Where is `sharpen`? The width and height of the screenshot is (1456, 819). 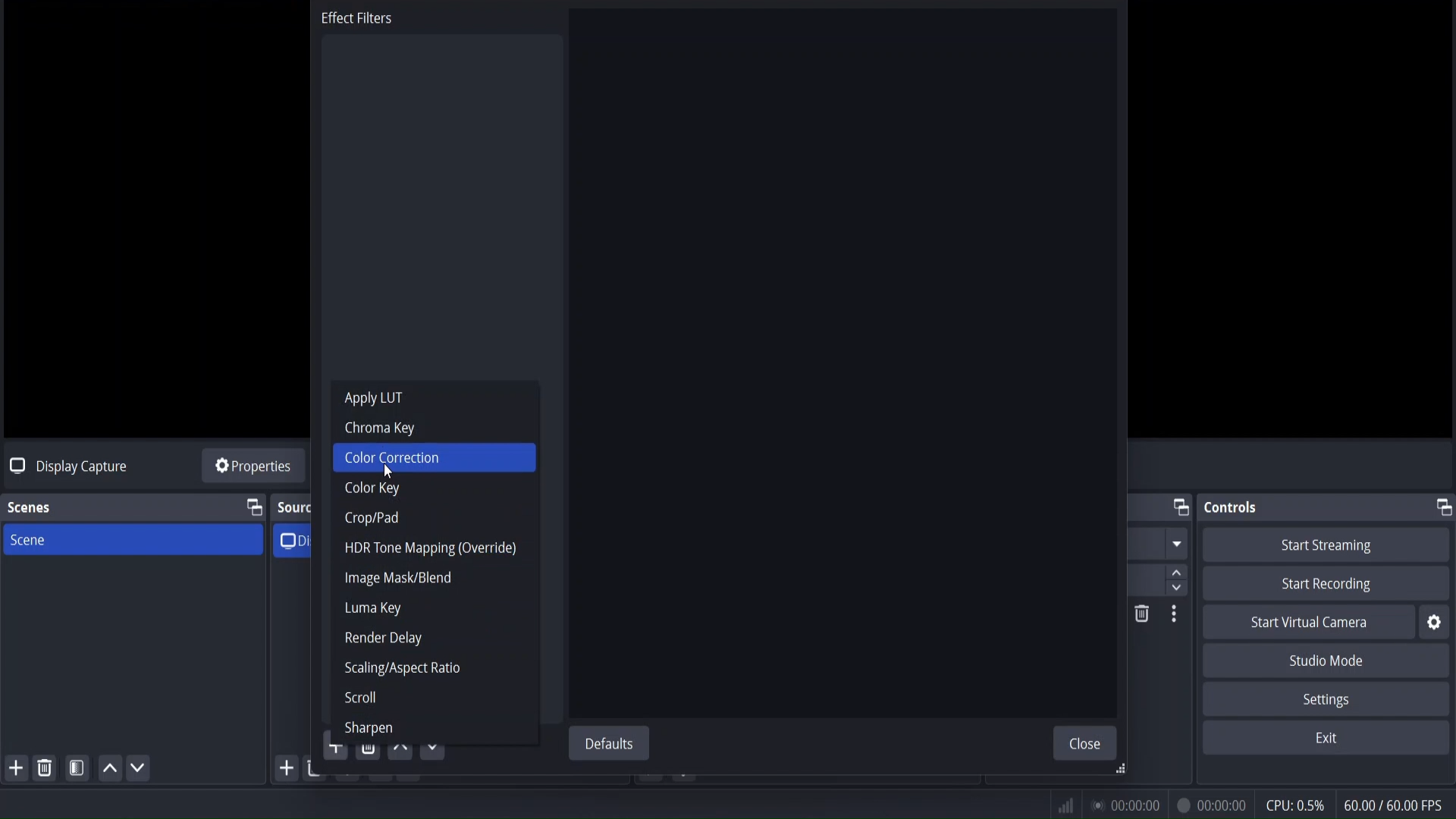
sharpen is located at coordinates (366, 730).